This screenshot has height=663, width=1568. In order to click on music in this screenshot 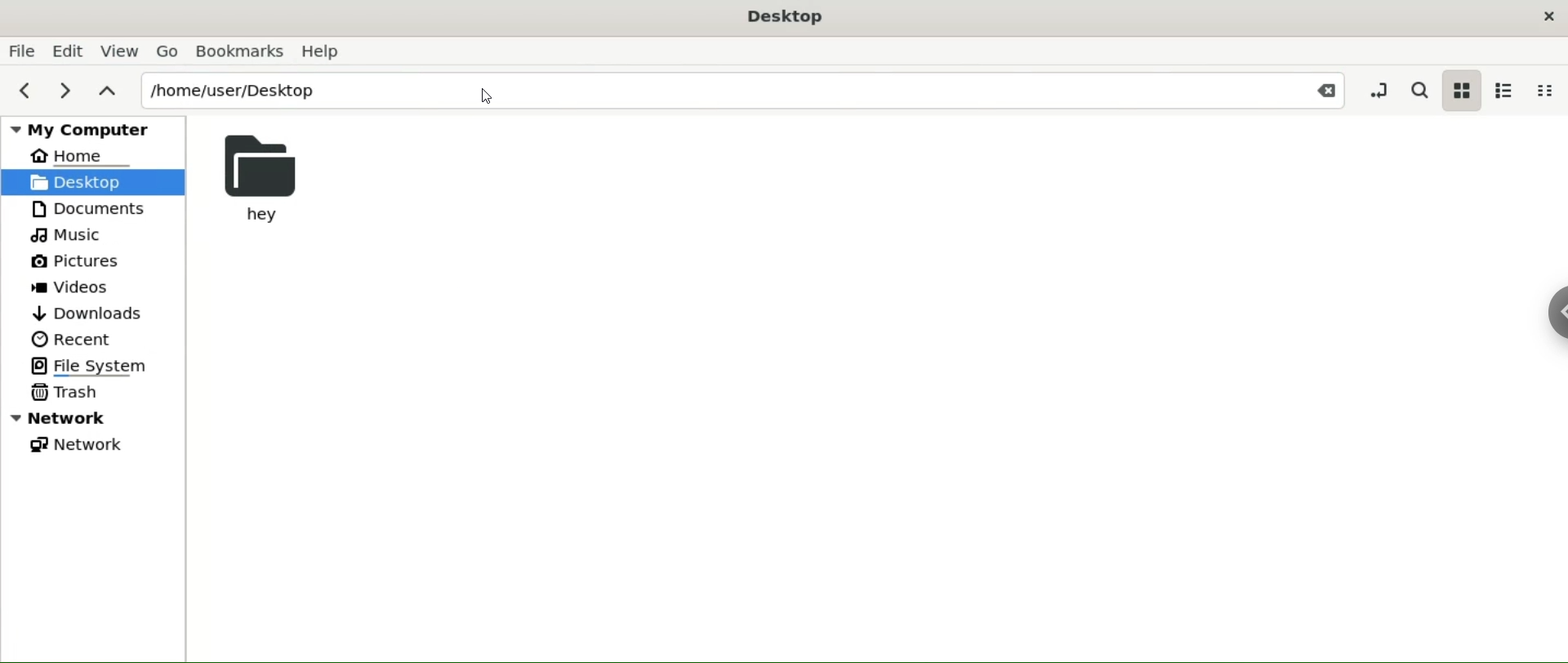, I will do `click(71, 235)`.